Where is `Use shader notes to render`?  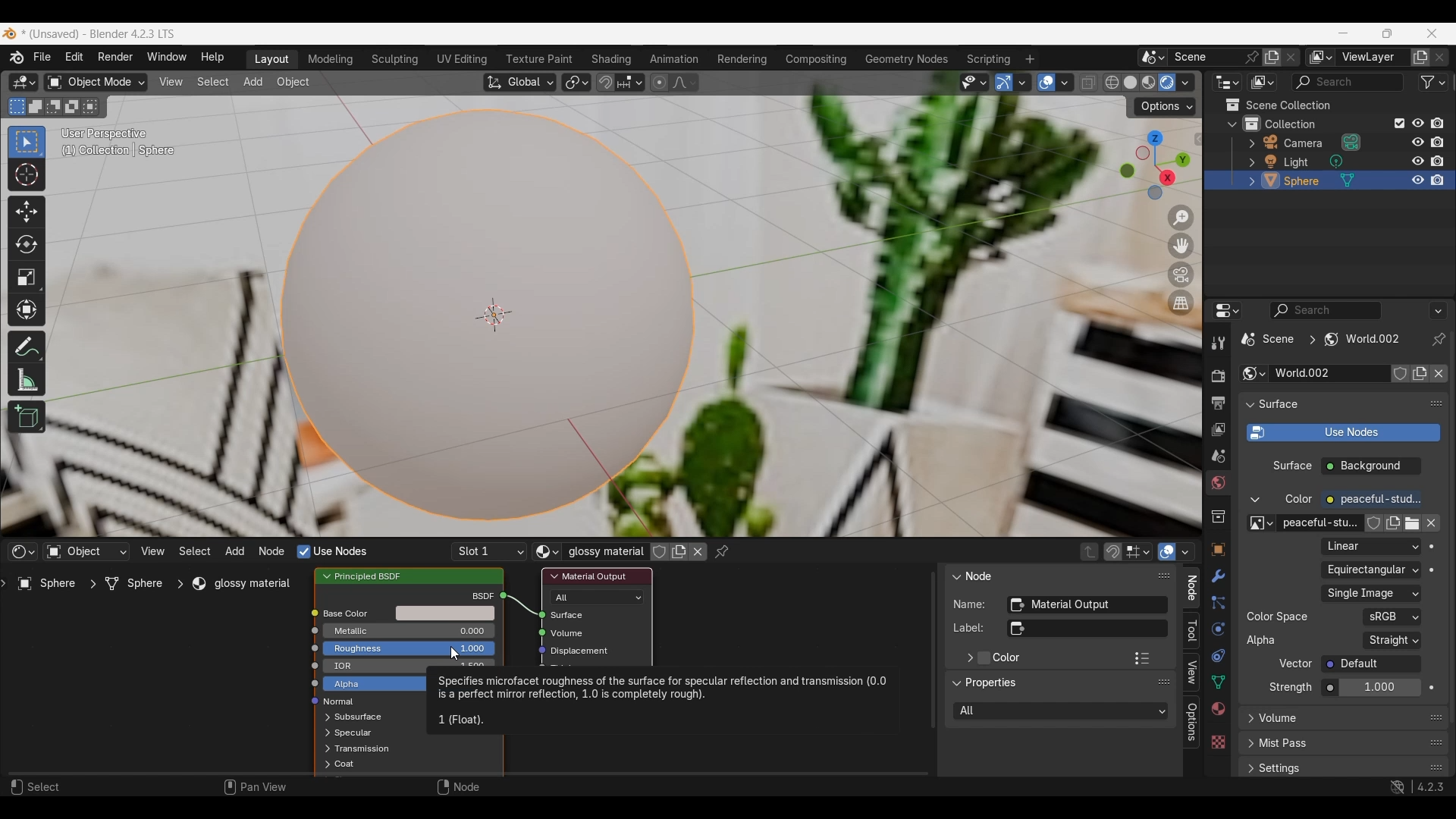
Use shader notes to render is located at coordinates (1343, 433).